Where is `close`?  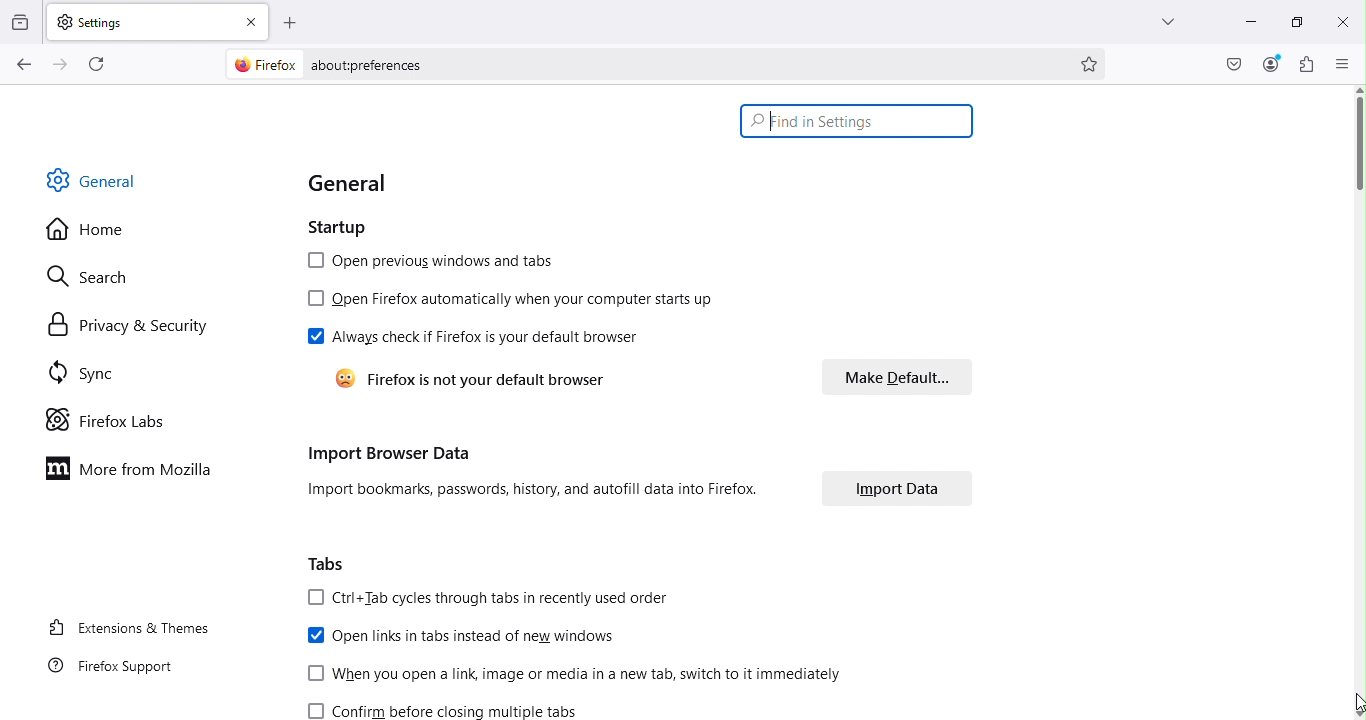 close is located at coordinates (252, 19).